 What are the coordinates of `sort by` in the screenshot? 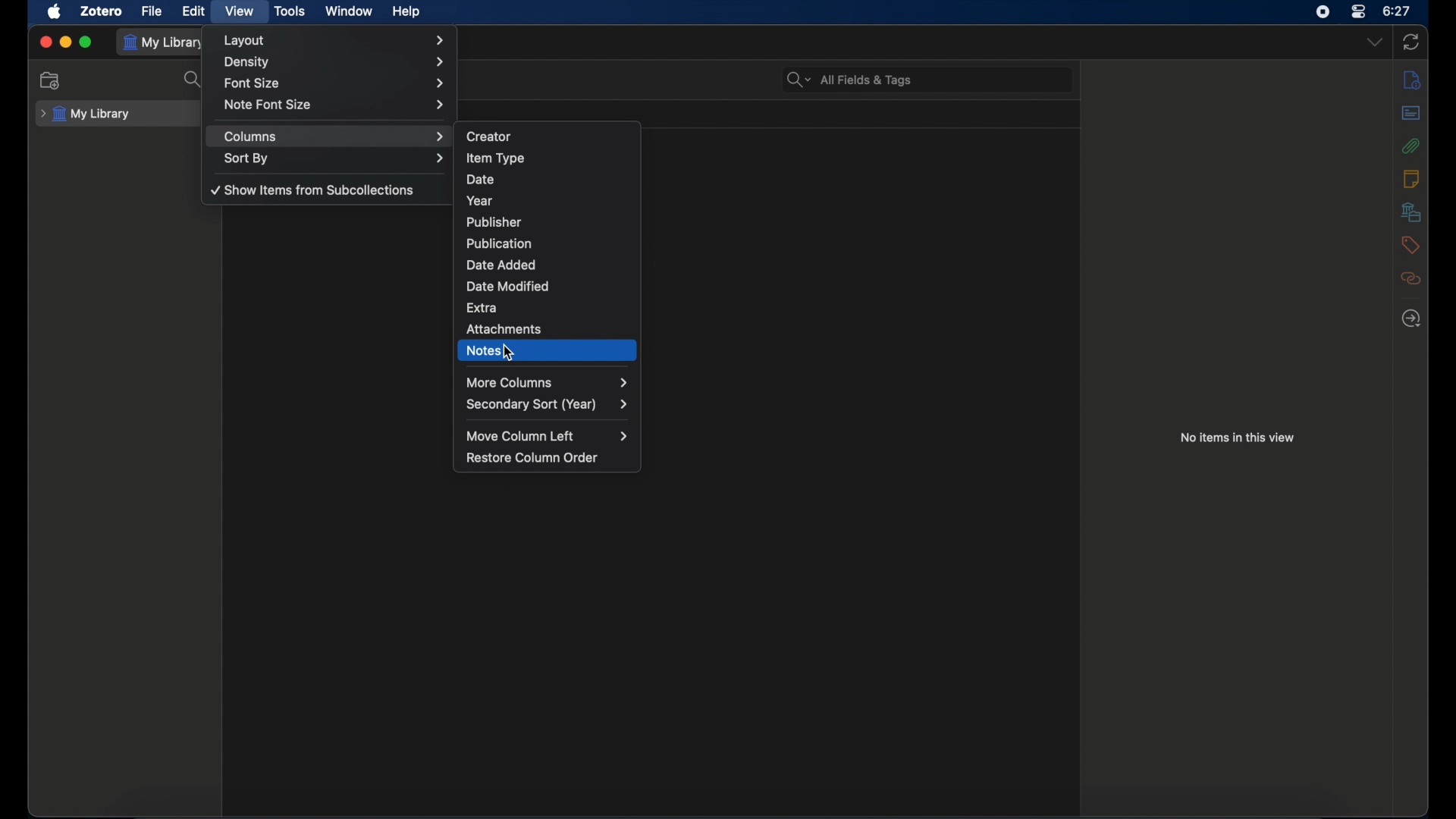 It's located at (335, 158).